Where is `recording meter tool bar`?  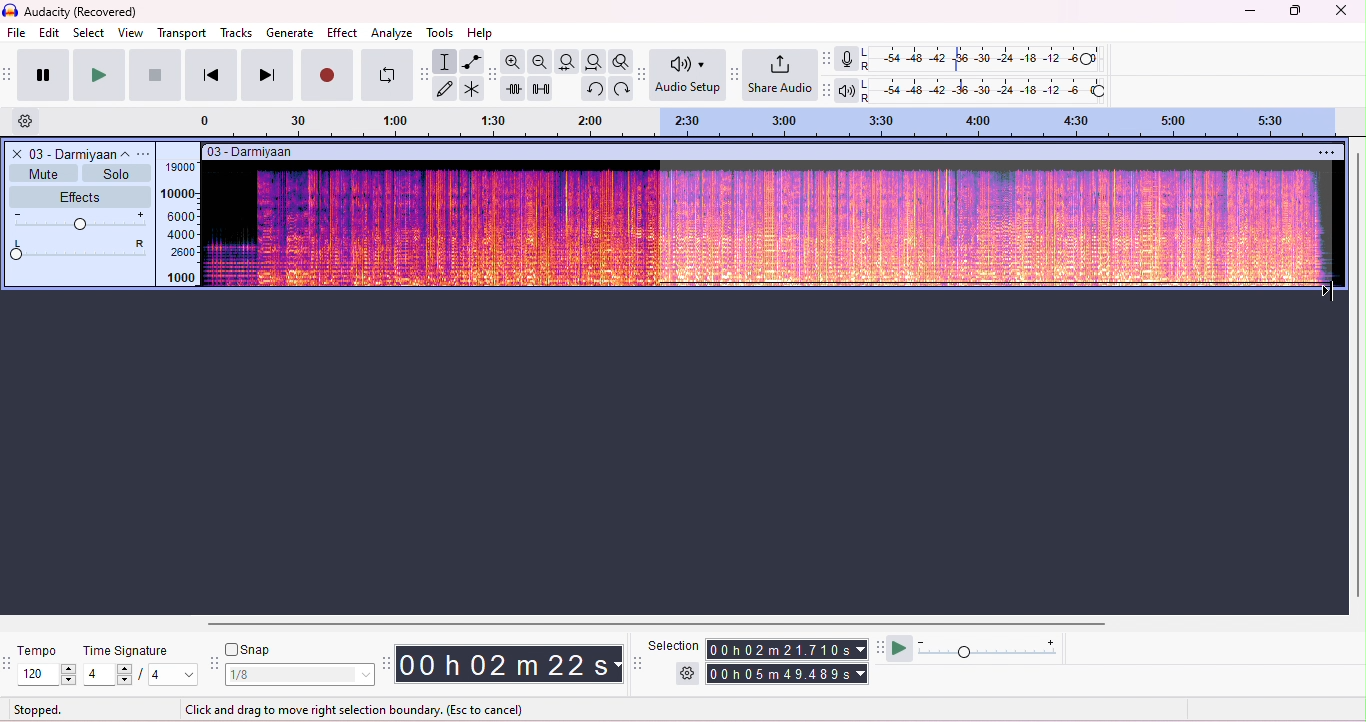
recording meter tool bar is located at coordinates (828, 58).